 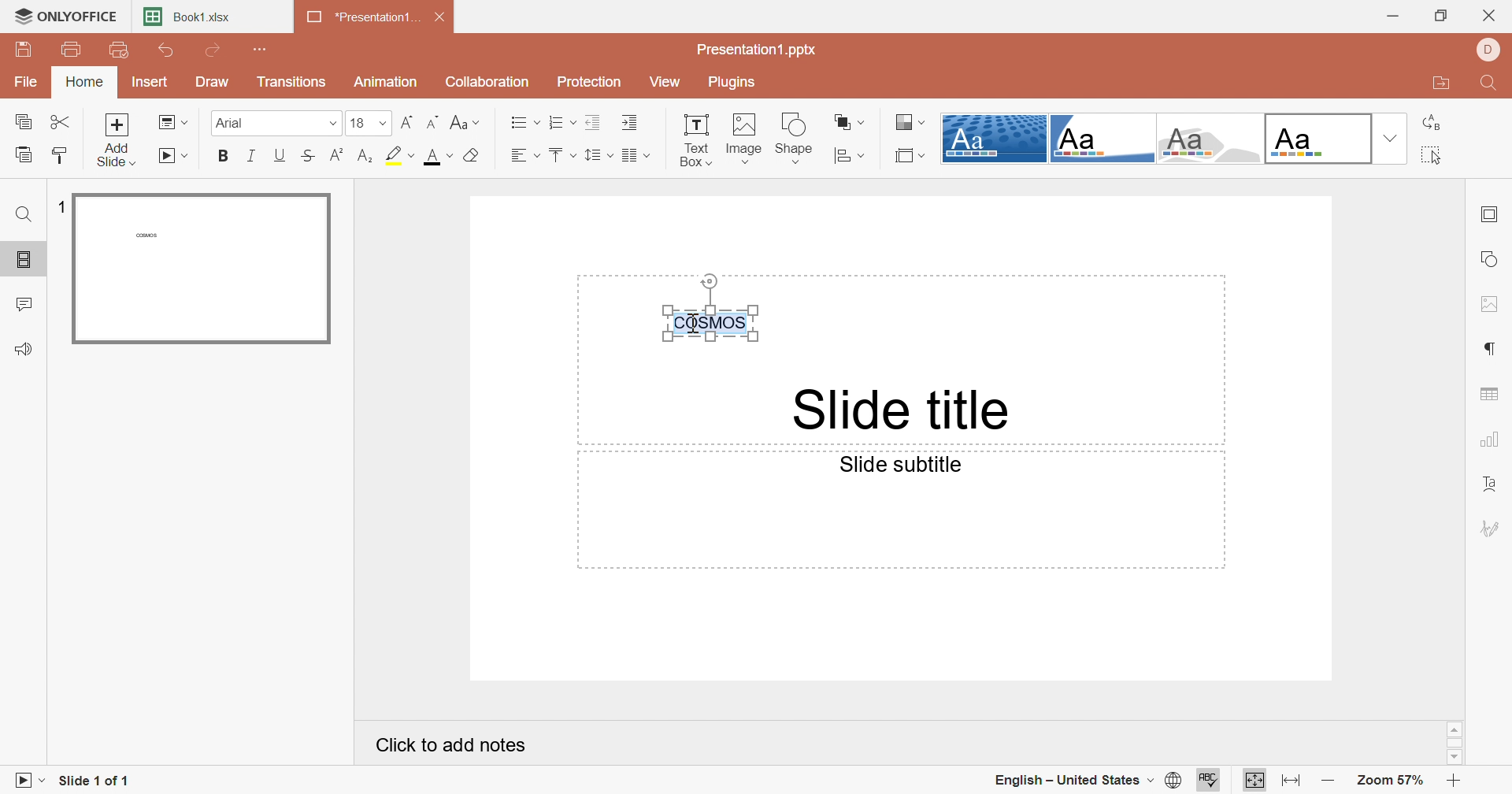 I want to click on *Presentation1..., so click(x=360, y=17).